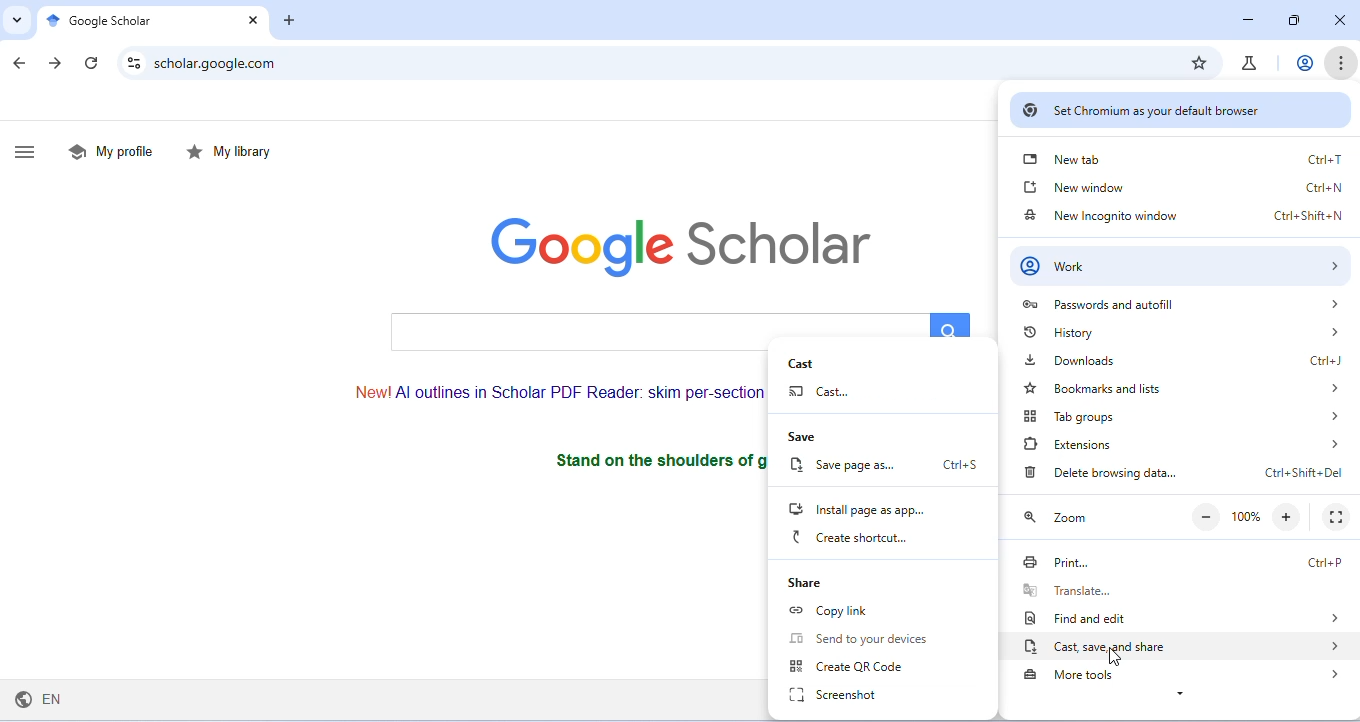  What do you see at coordinates (834, 612) in the screenshot?
I see `copy link` at bounding box center [834, 612].